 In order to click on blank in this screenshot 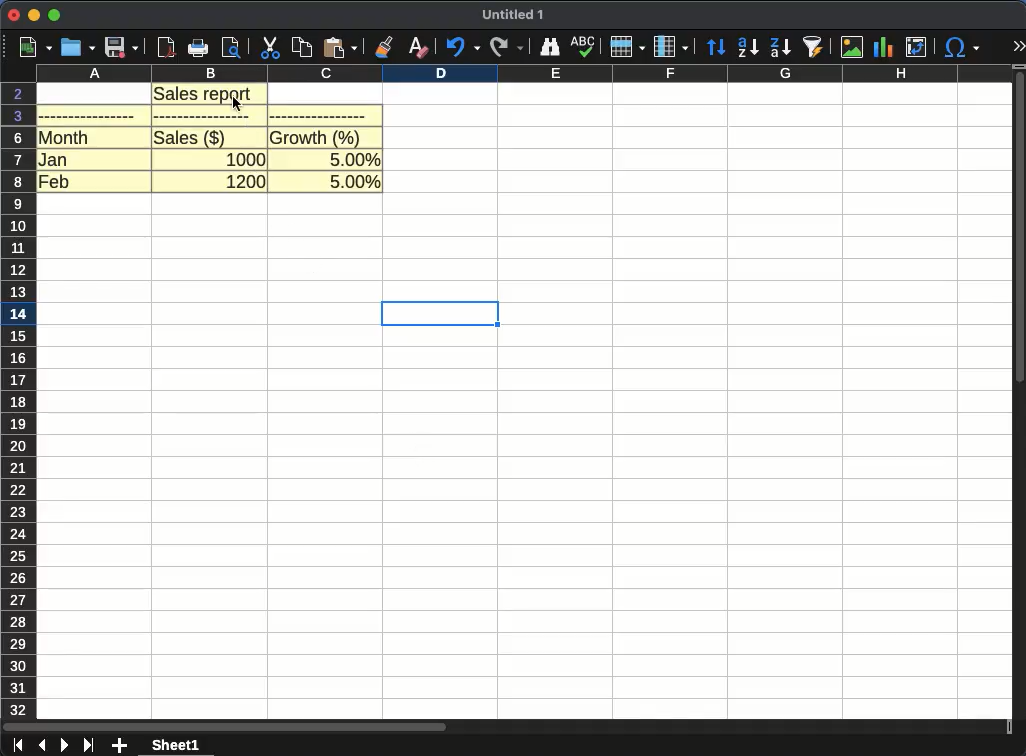, I will do `click(318, 115)`.